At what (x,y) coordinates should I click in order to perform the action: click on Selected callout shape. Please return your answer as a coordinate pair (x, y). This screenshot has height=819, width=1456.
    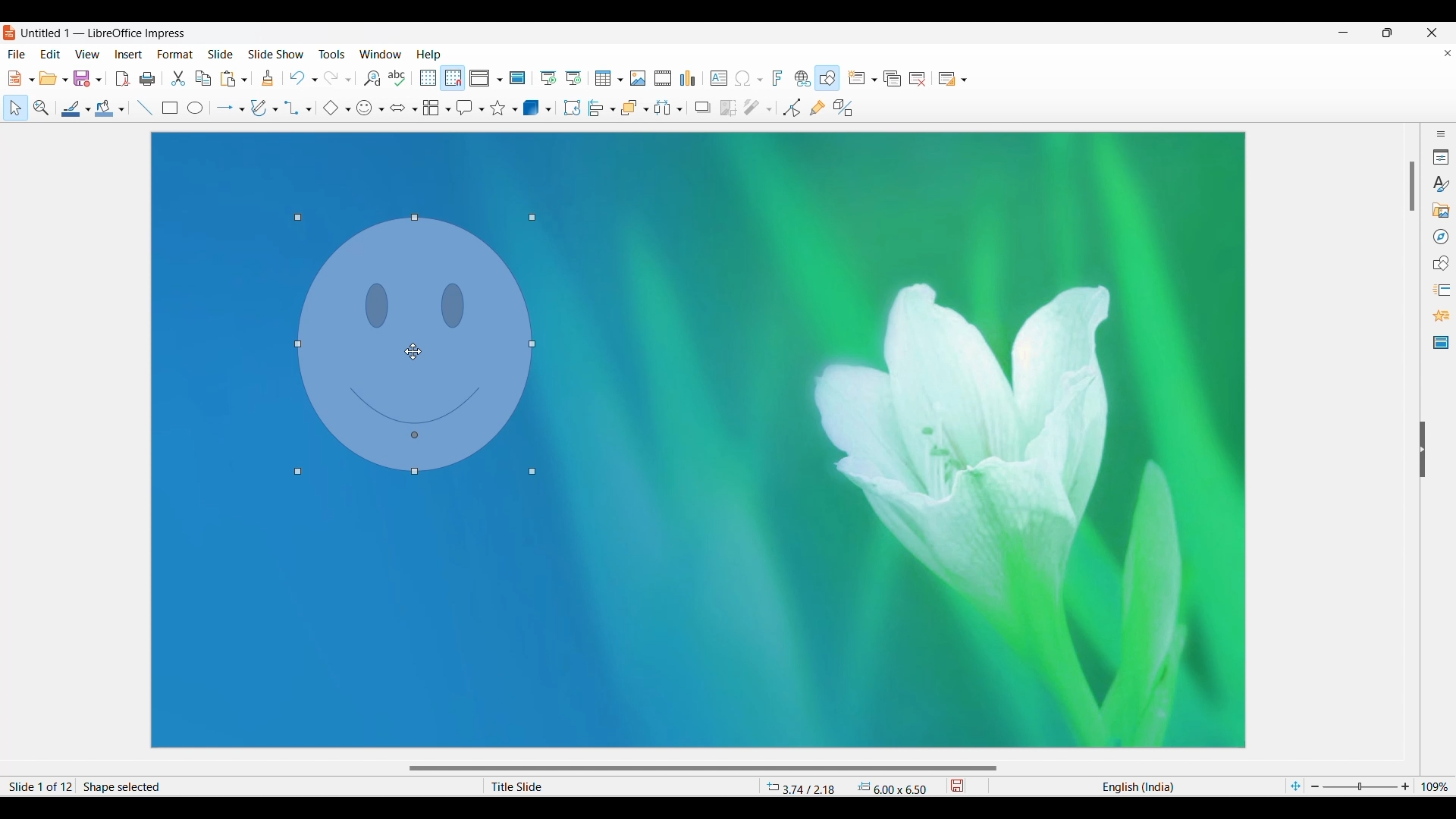
    Looking at the image, I should click on (466, 108).